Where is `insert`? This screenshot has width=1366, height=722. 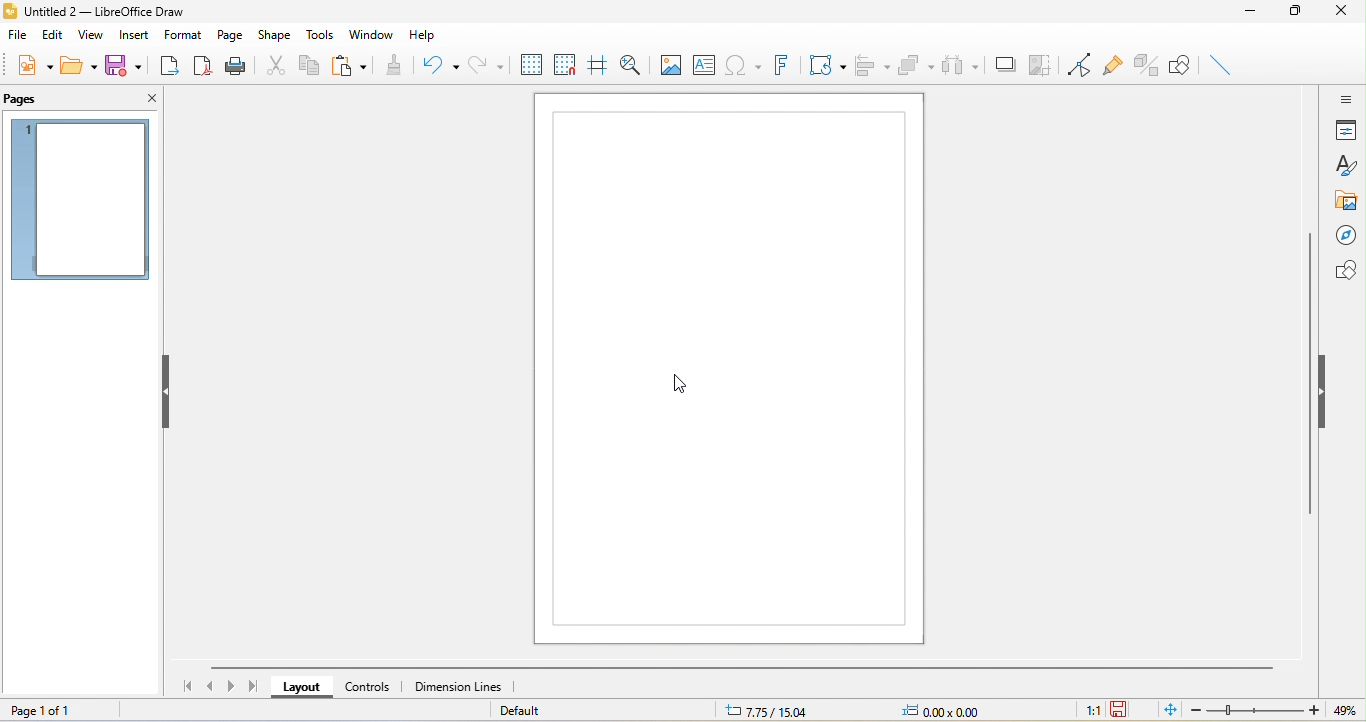
insert is located at coordinates (136, 36).